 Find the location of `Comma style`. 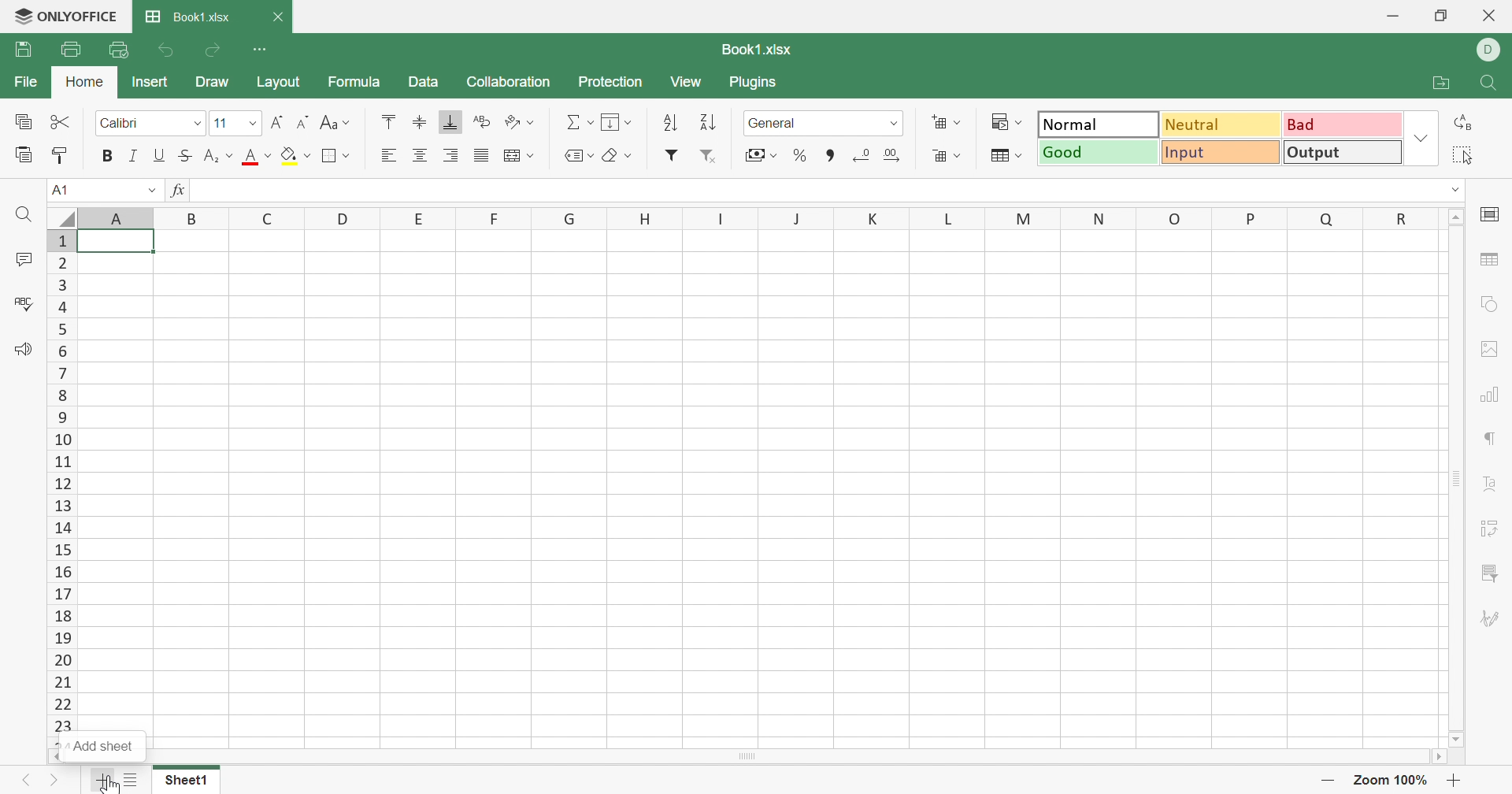

Comma style is located at coordinates (830, 153).